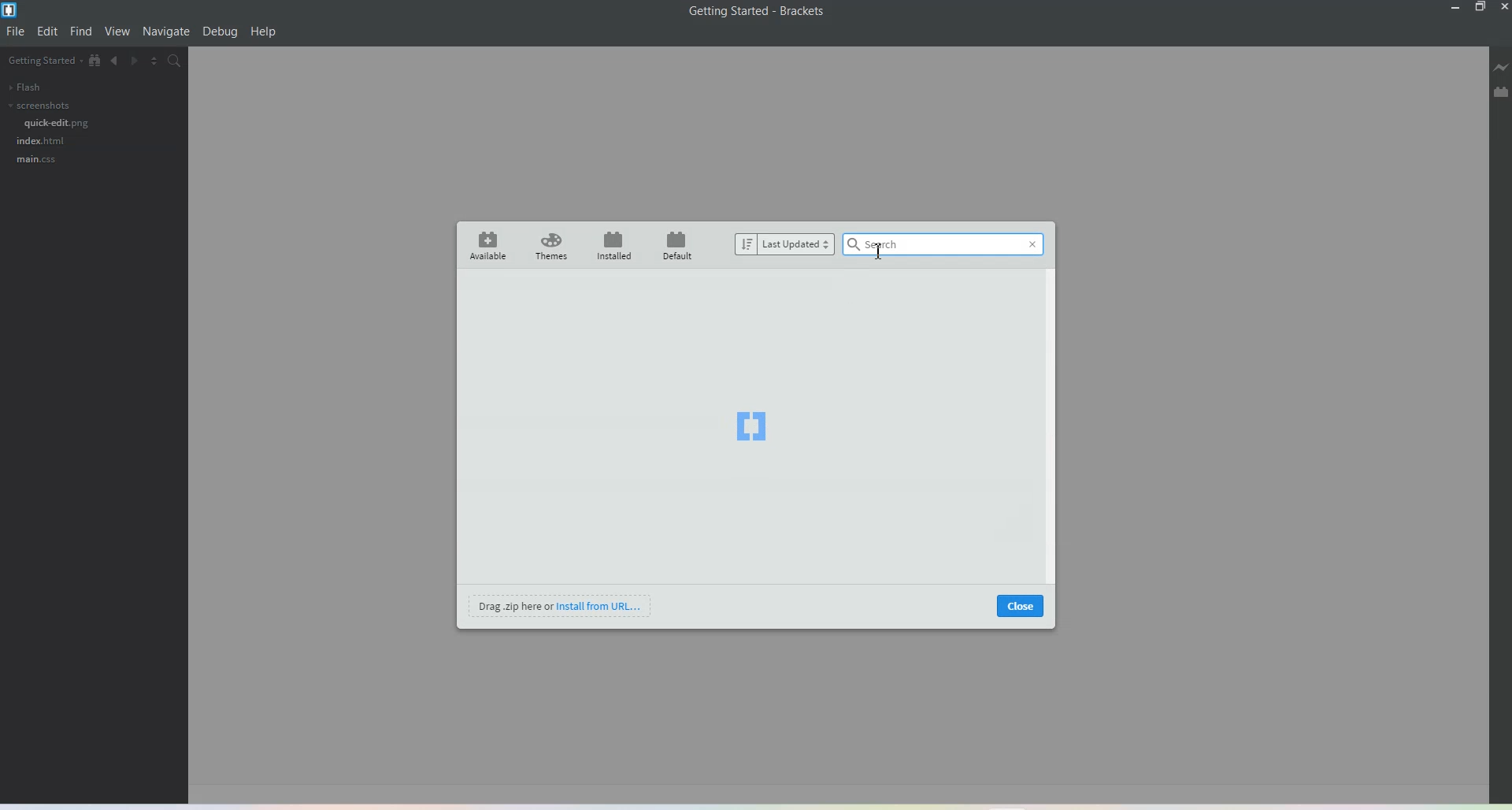 Image resolution: width=1512 pixels, height=810 pixels. What do you see at coordinates (1021, 605) in the screenshot?
I see `Close` at bounding box center [1021, 605].